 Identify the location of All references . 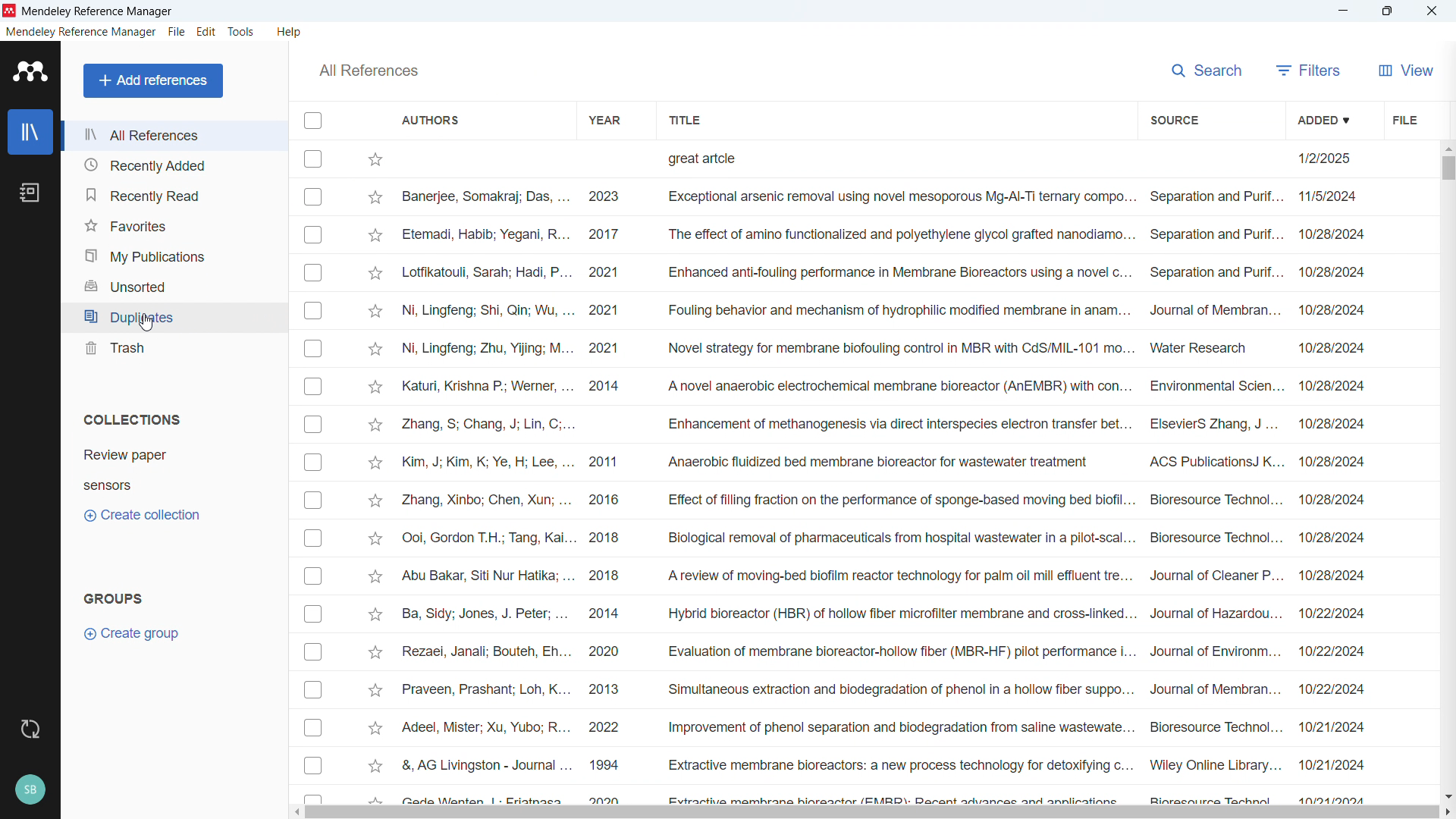
(372, 71).